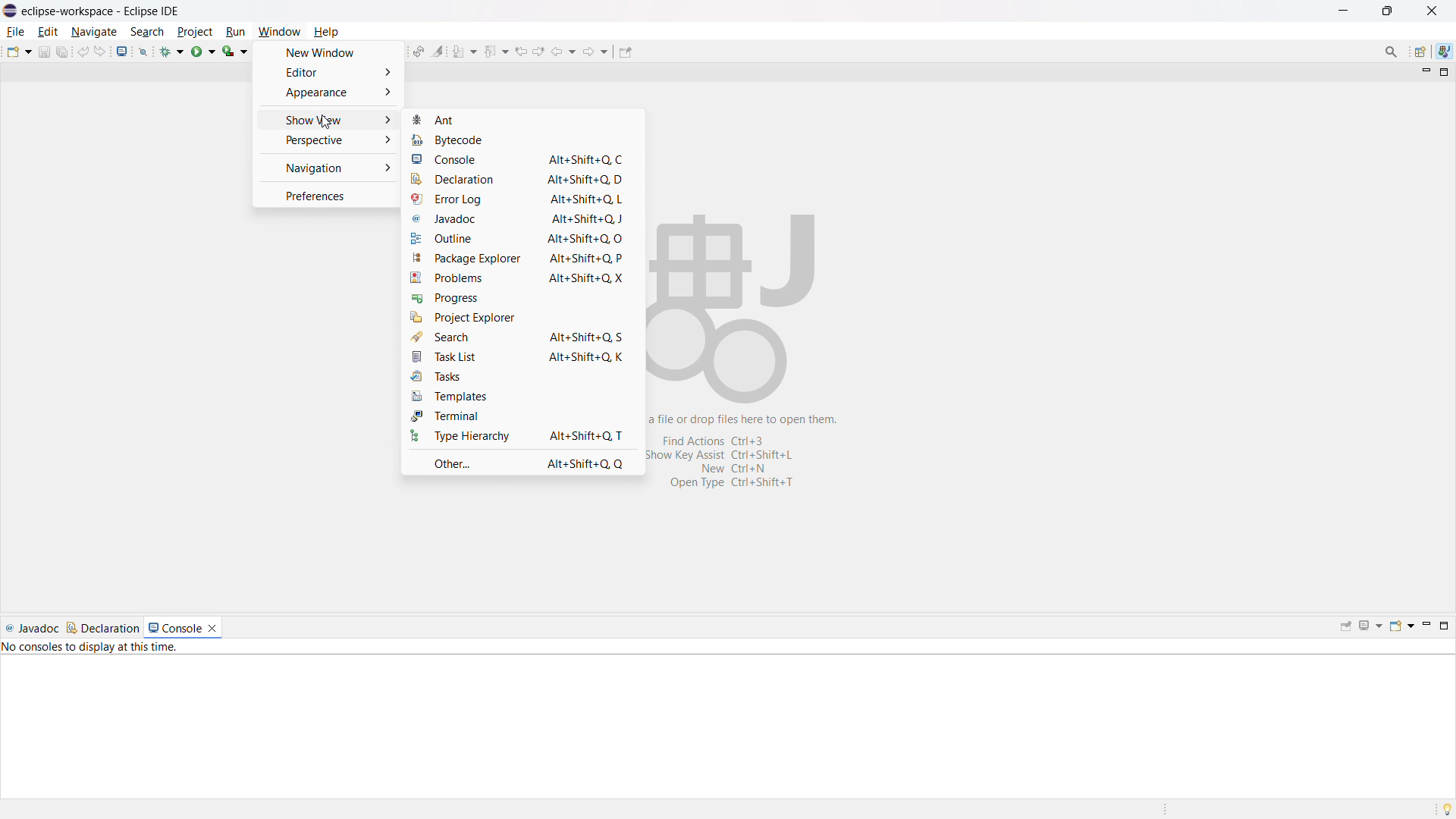  What do you see at coordinates (325, 168) in the screenshot?
I see `navigation` at bounding box center [325, 168].